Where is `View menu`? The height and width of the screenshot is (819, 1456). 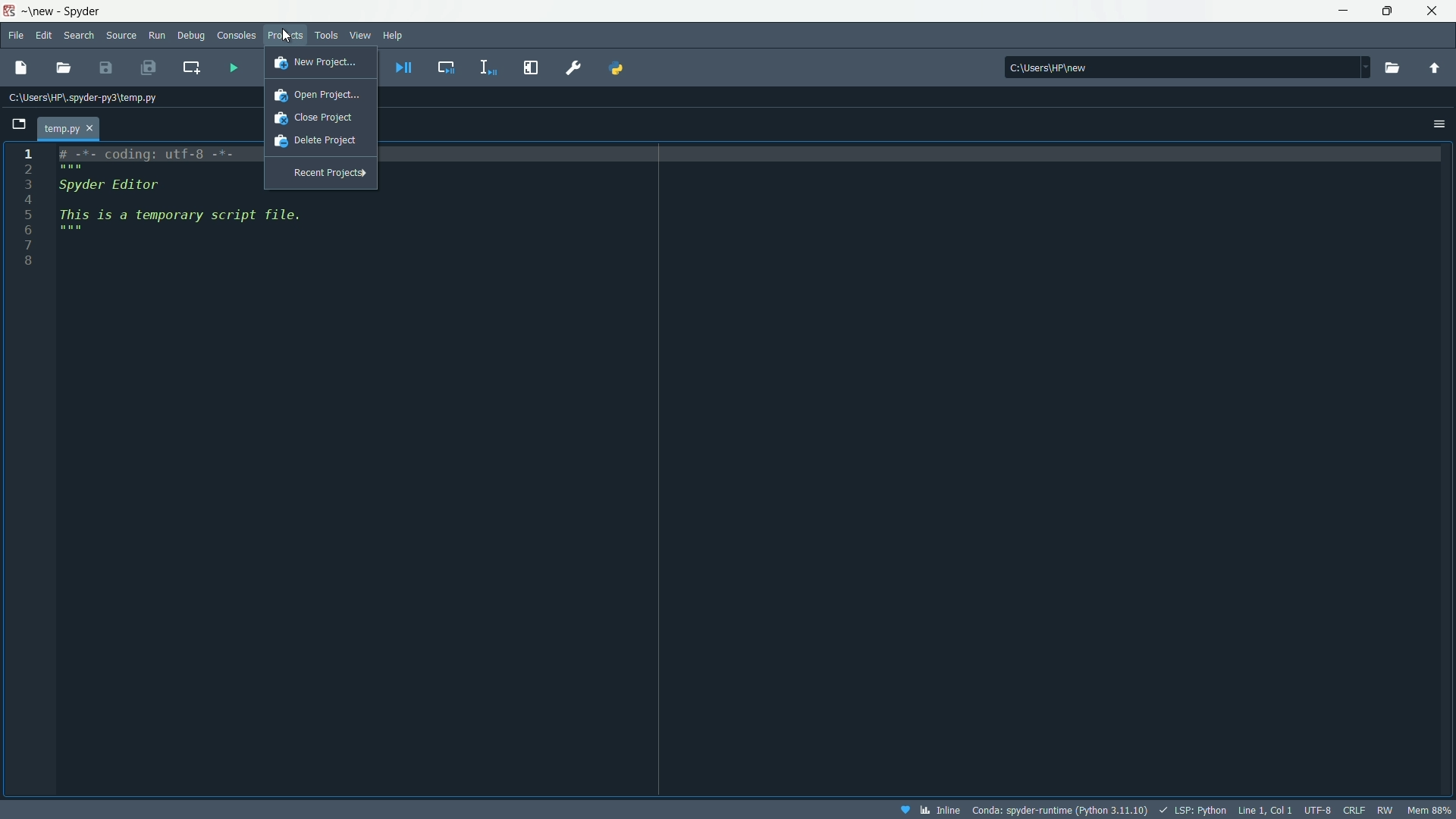 View menu is located at coordinates (361, 37).